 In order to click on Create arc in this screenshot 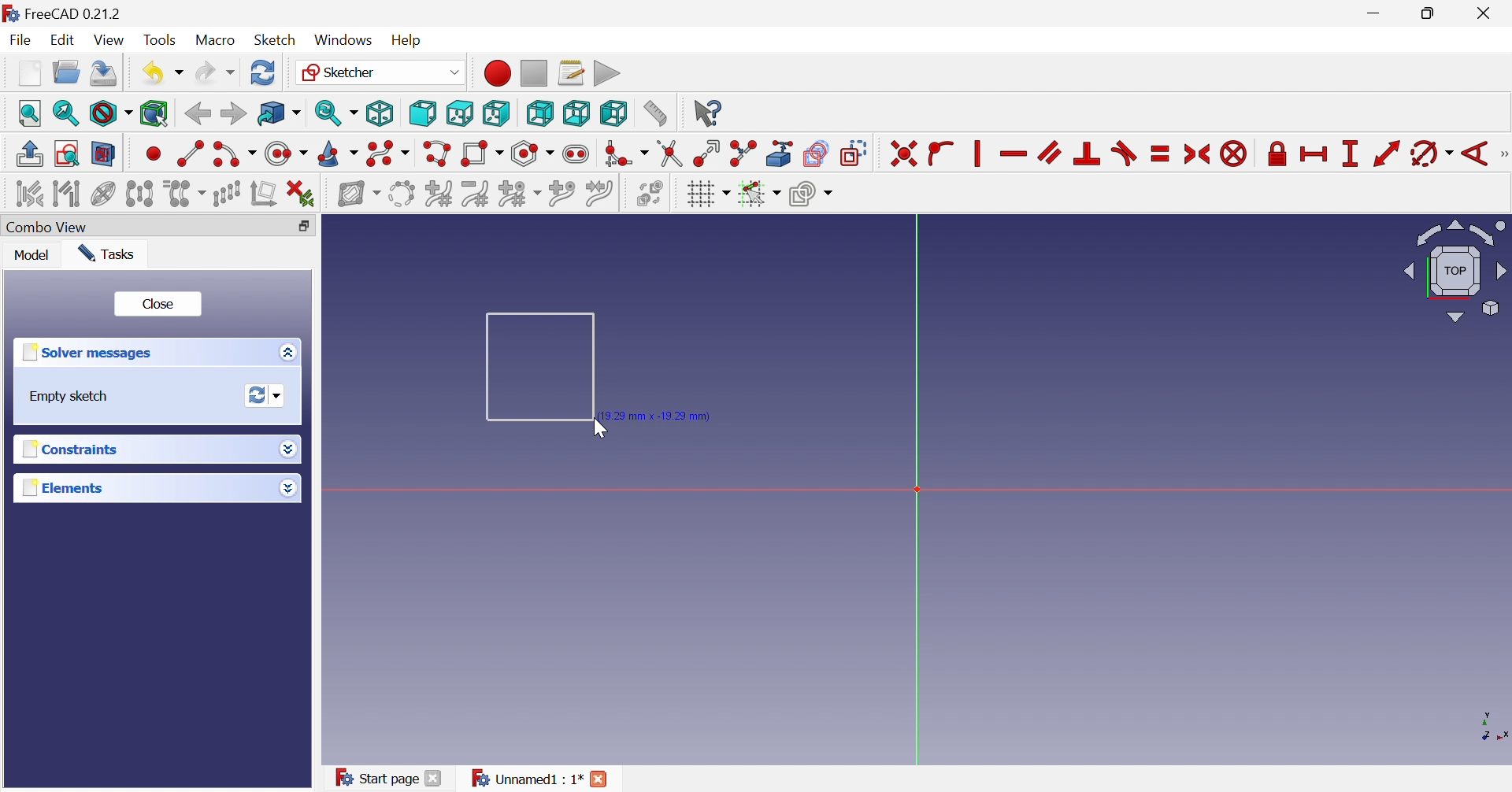, I will do `click(234, 154)`.